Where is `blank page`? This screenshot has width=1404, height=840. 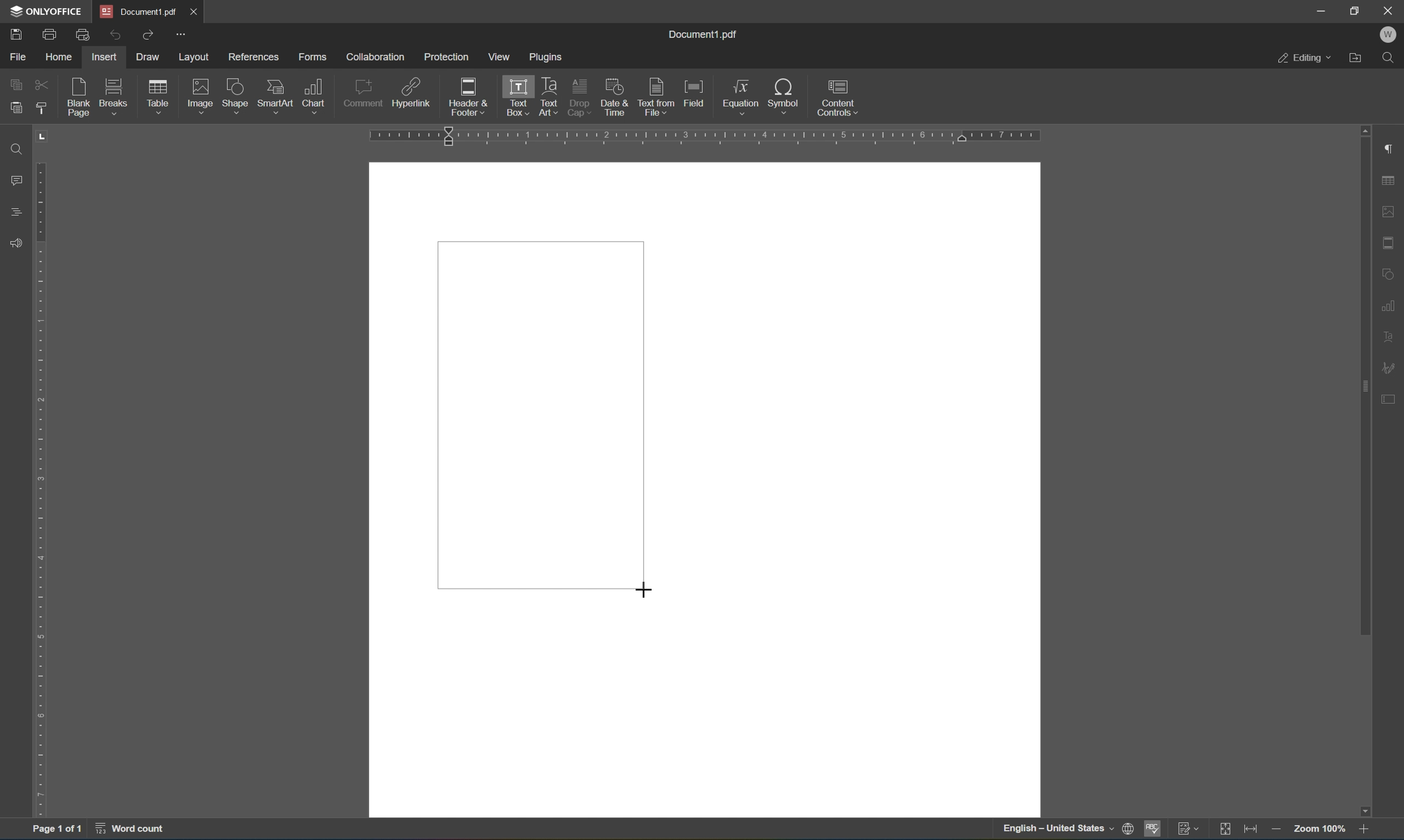 blank page is located at coordinates (82, 98).